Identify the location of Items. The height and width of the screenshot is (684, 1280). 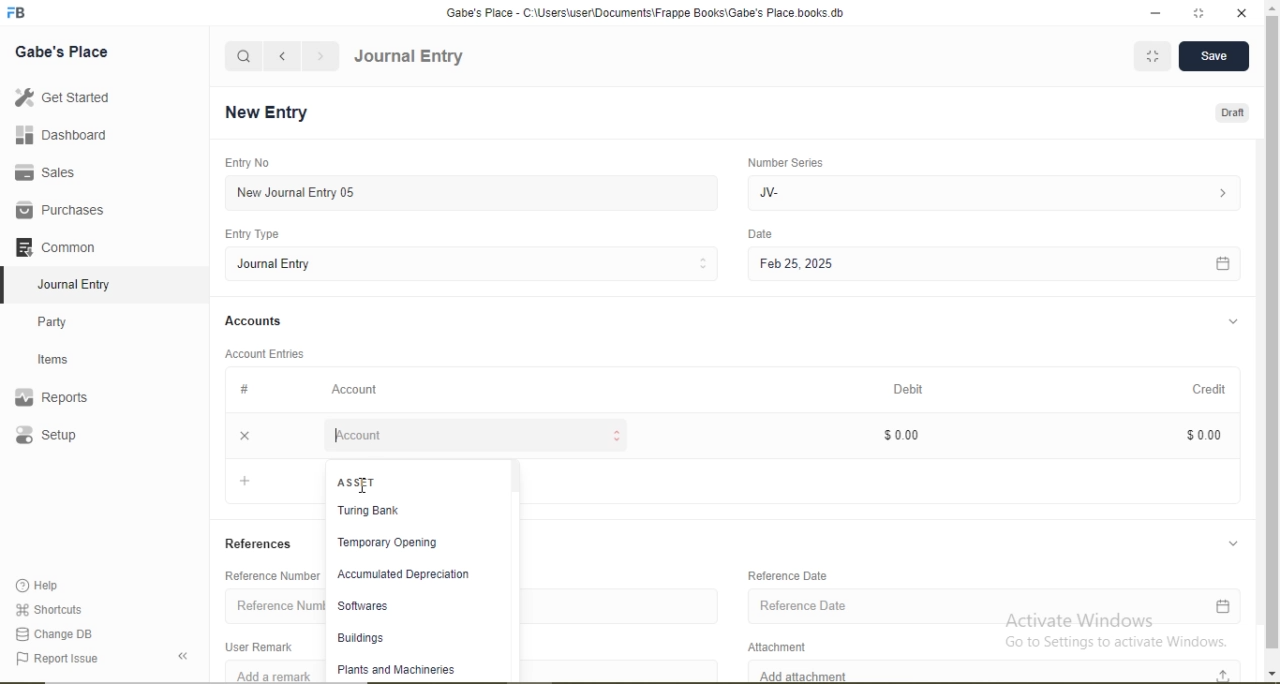
(65, 359).